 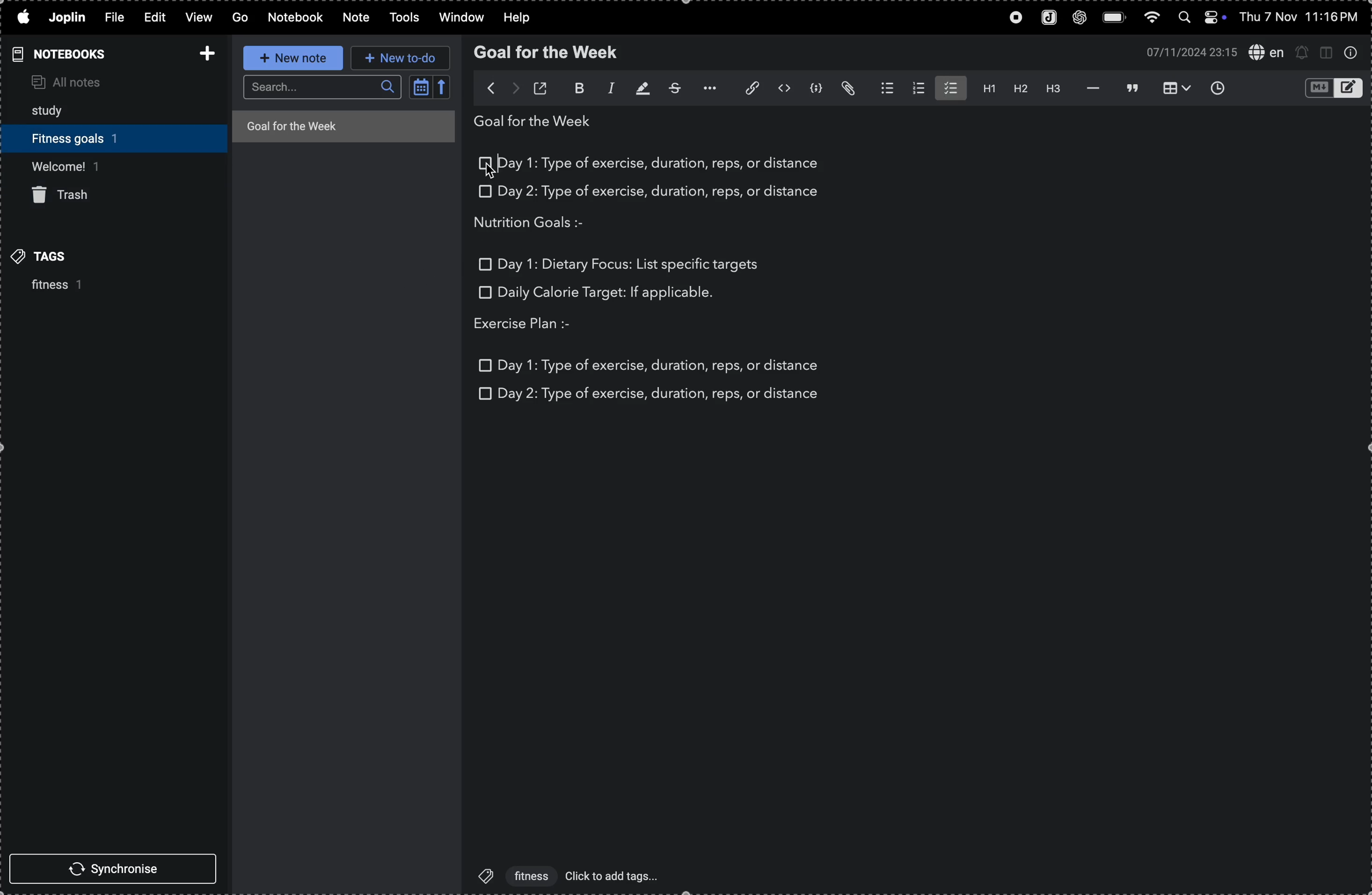 I want to click on heading 3, so click(x=1051, y=88).